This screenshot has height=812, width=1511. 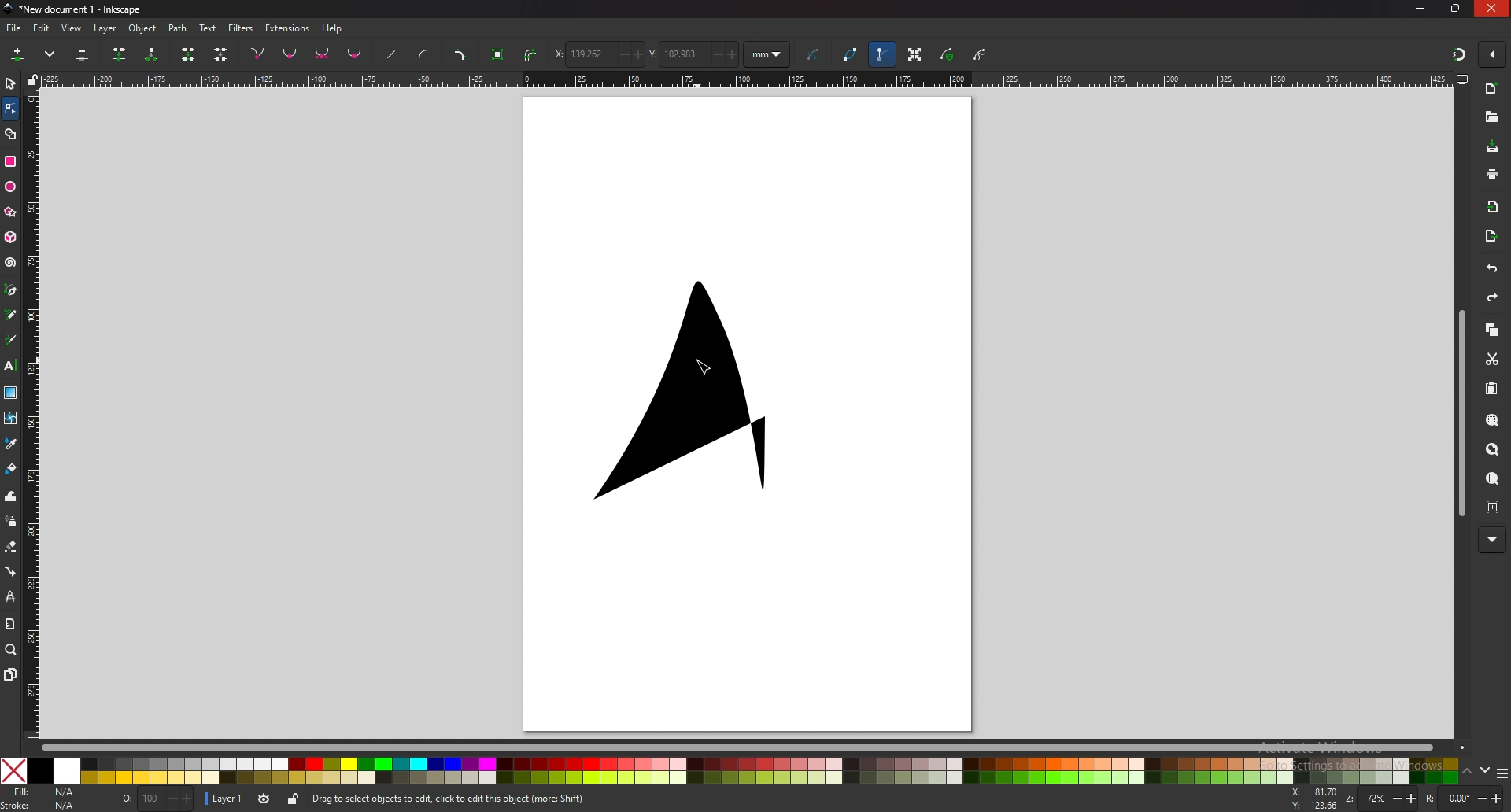 What do you see at coordinates (10, 469) in the screenshot?
I see `paint bucket` at bounding box center [10, 469].